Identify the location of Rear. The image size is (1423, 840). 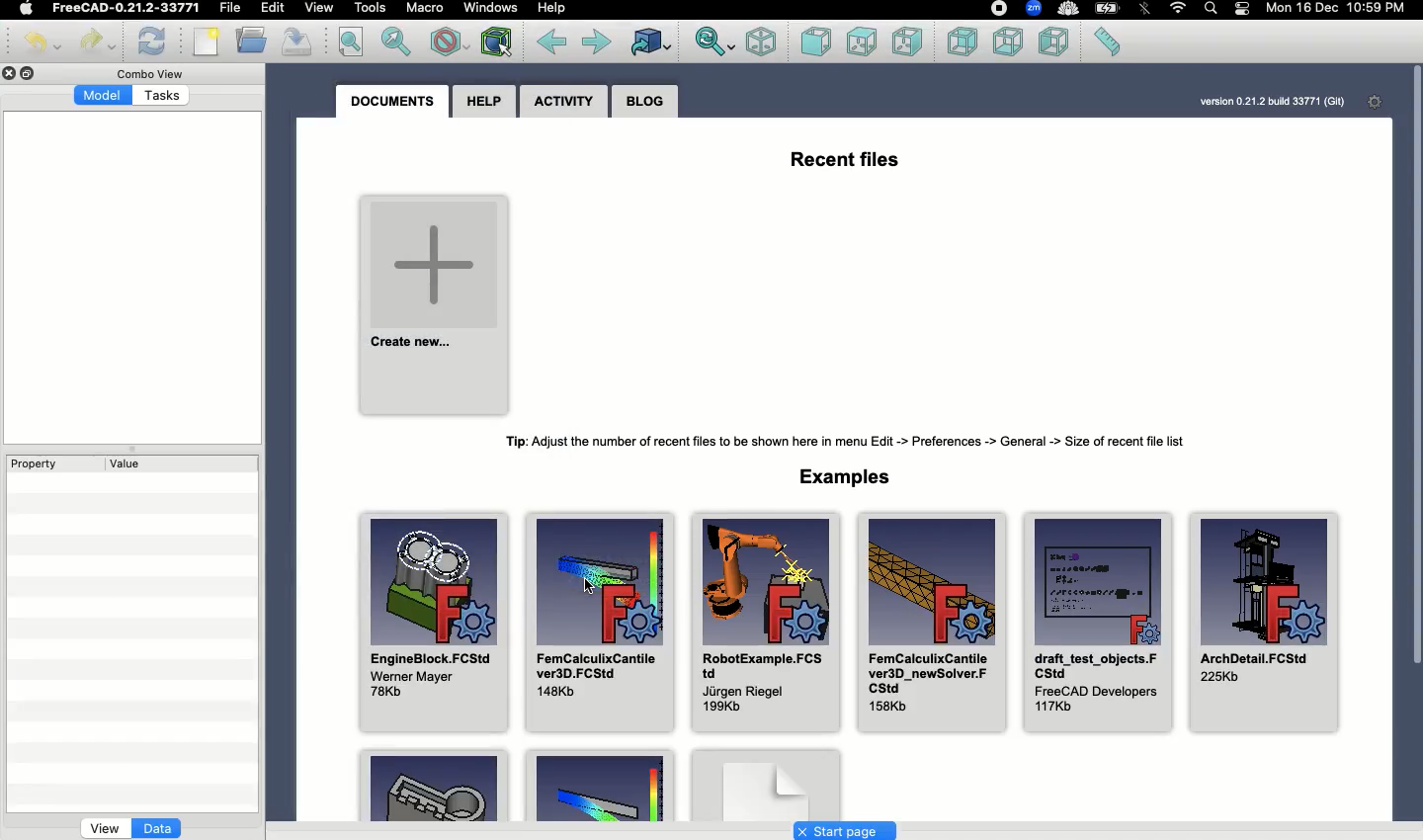
(963, 44).